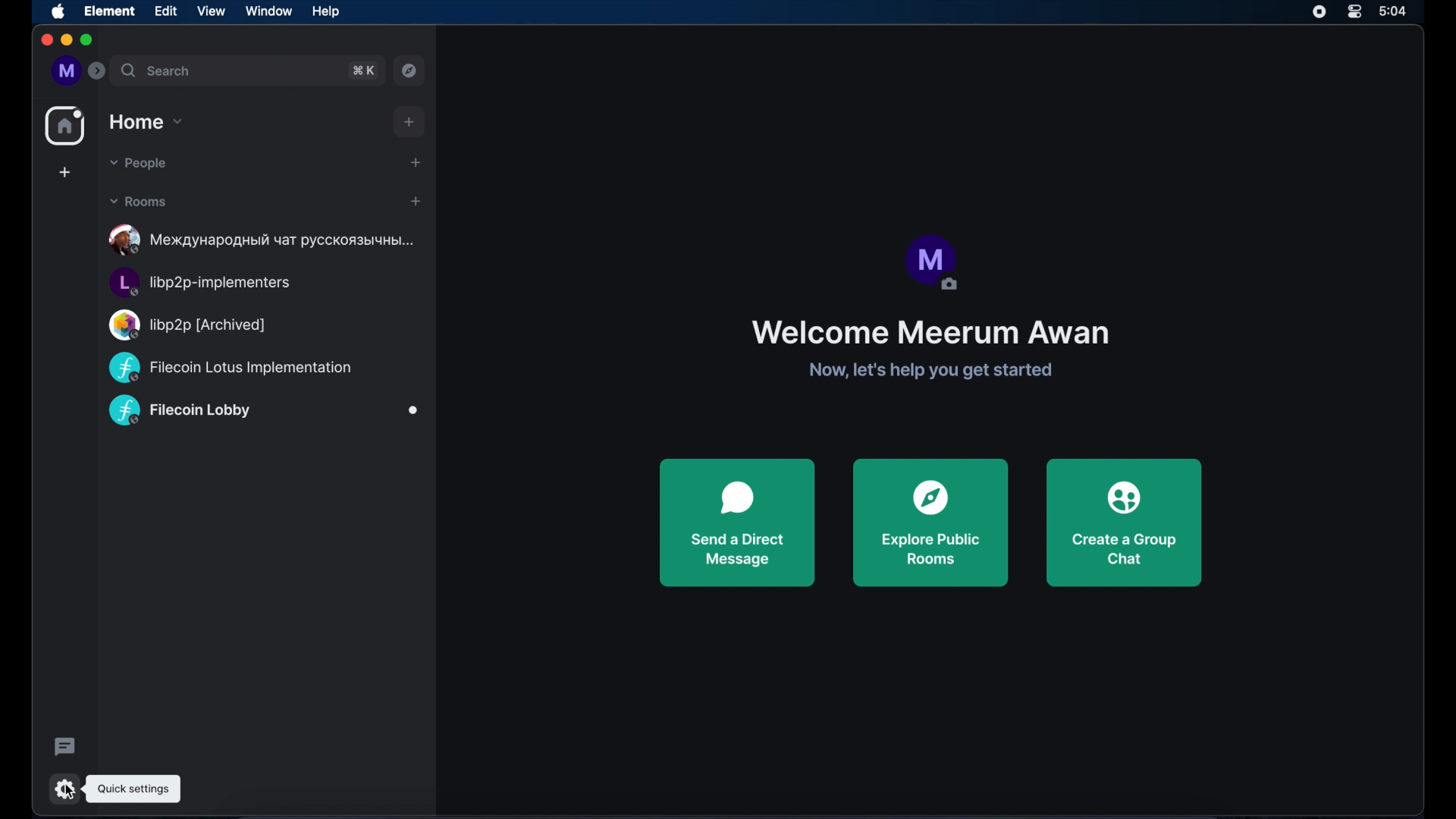  What do you see at coordinates (65, 40) in the screenshot?
I see `minimize` at bounding box center [65, 40].